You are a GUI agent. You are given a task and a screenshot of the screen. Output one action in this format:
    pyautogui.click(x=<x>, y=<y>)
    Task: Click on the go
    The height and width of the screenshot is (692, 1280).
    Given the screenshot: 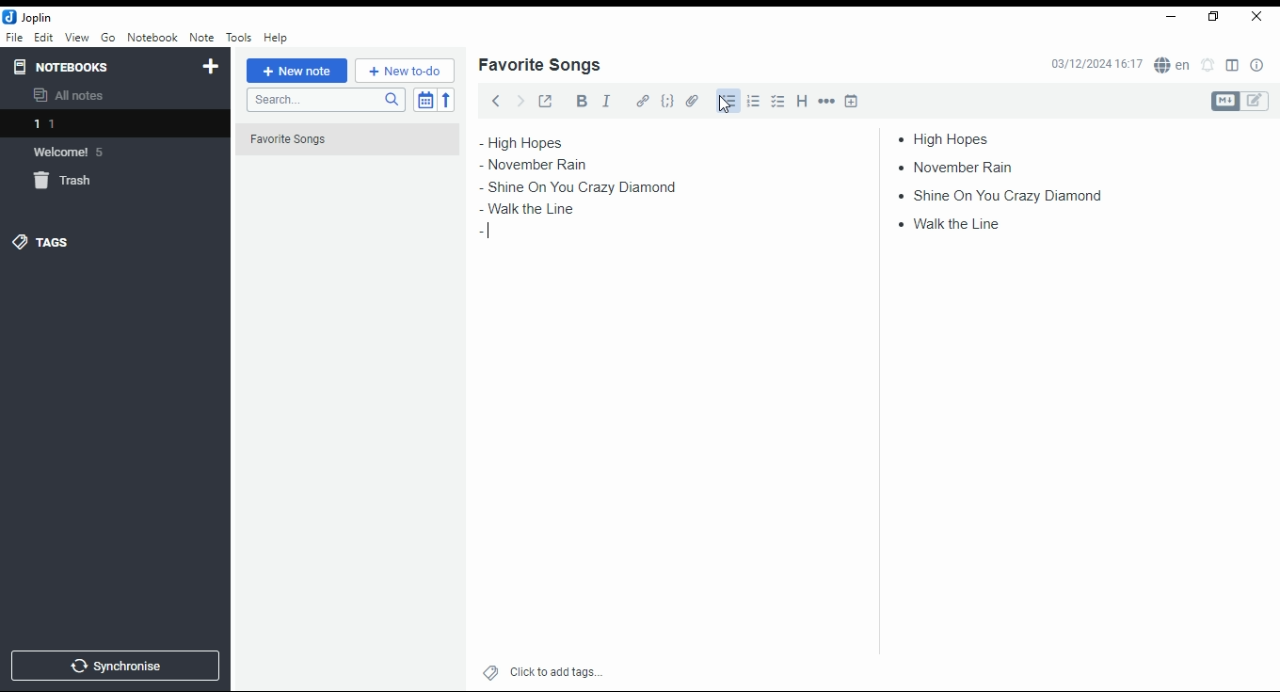 What is the action you would take?
    pyautogui.click(x=110, y=40)
    